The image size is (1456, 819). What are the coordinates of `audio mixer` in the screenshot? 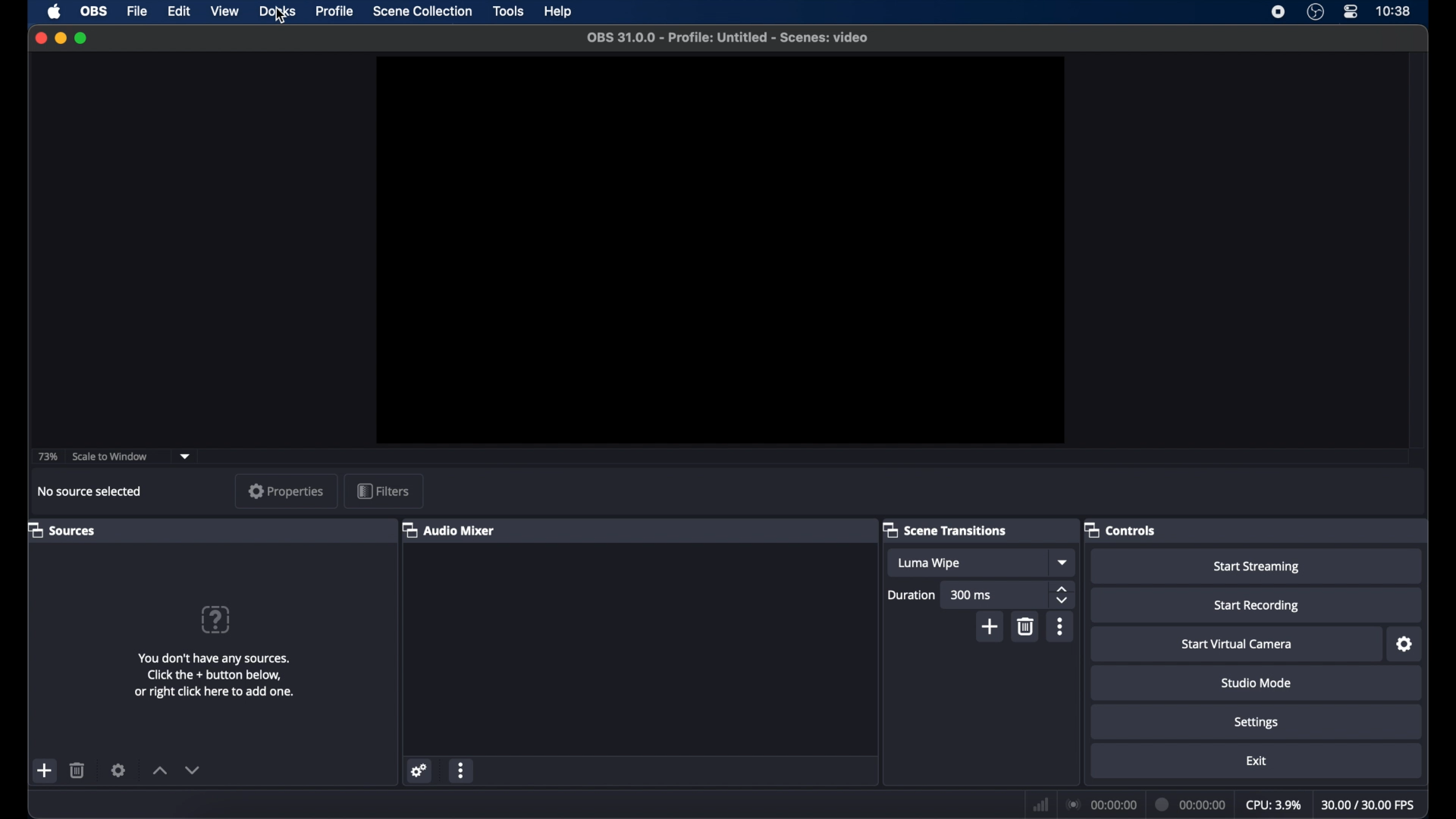 It's located at (447, 529).